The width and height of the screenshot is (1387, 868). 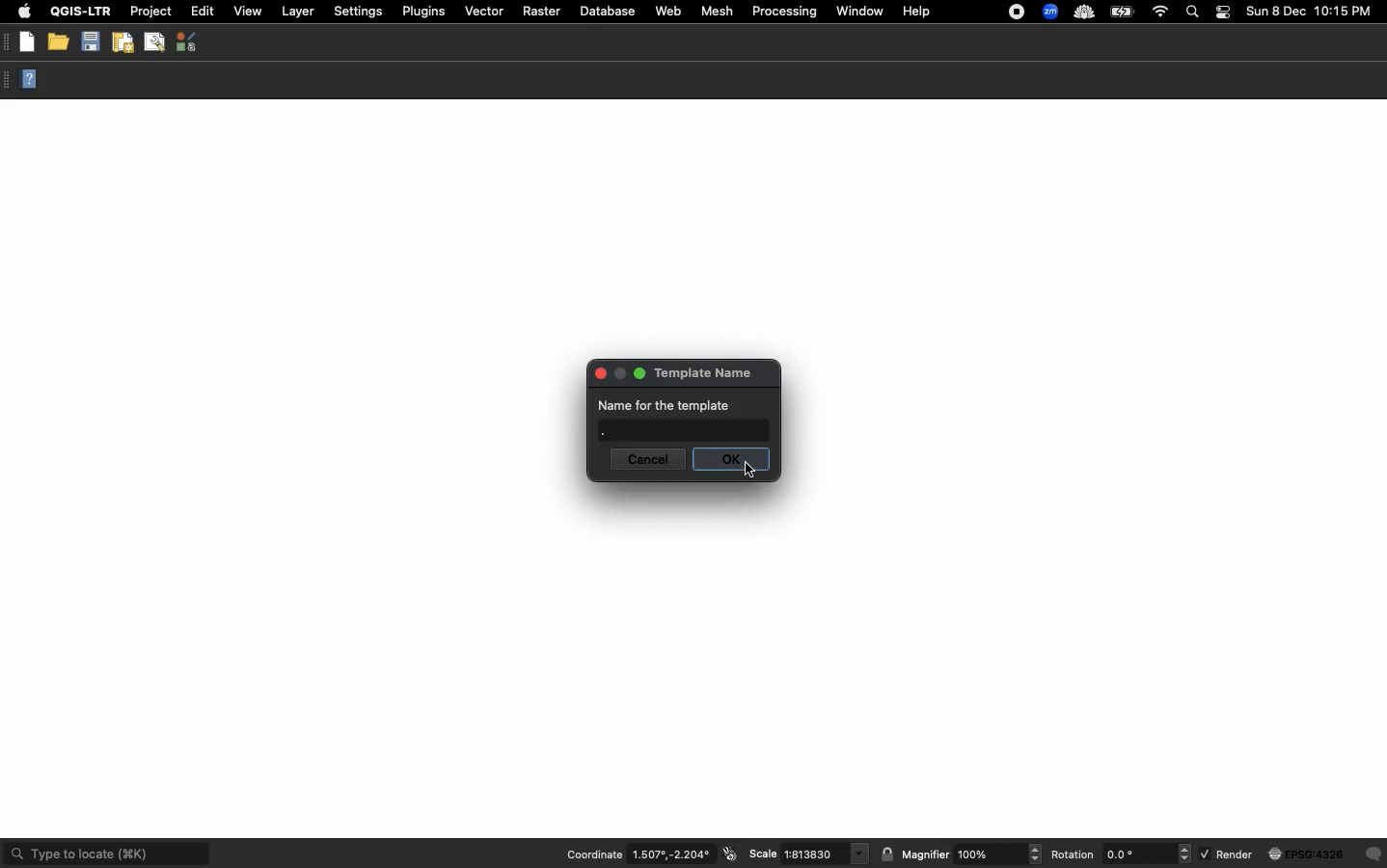 What do you see at coordinates (636, 374) in the screenshot?
I see `maximise` at bounding box center [636, 374].